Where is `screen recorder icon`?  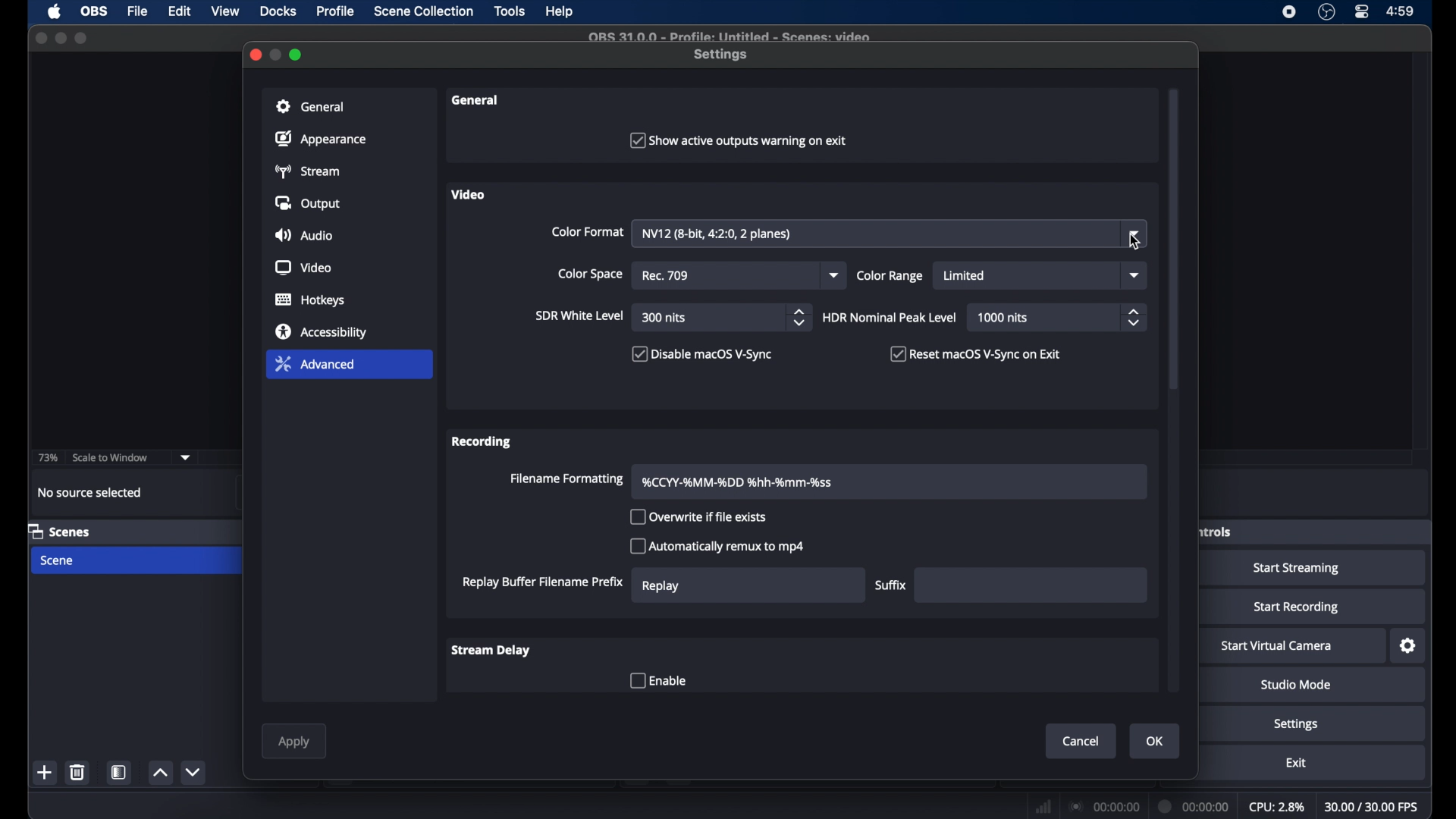 screen recorder icon is located at coordinates (1288, 12).